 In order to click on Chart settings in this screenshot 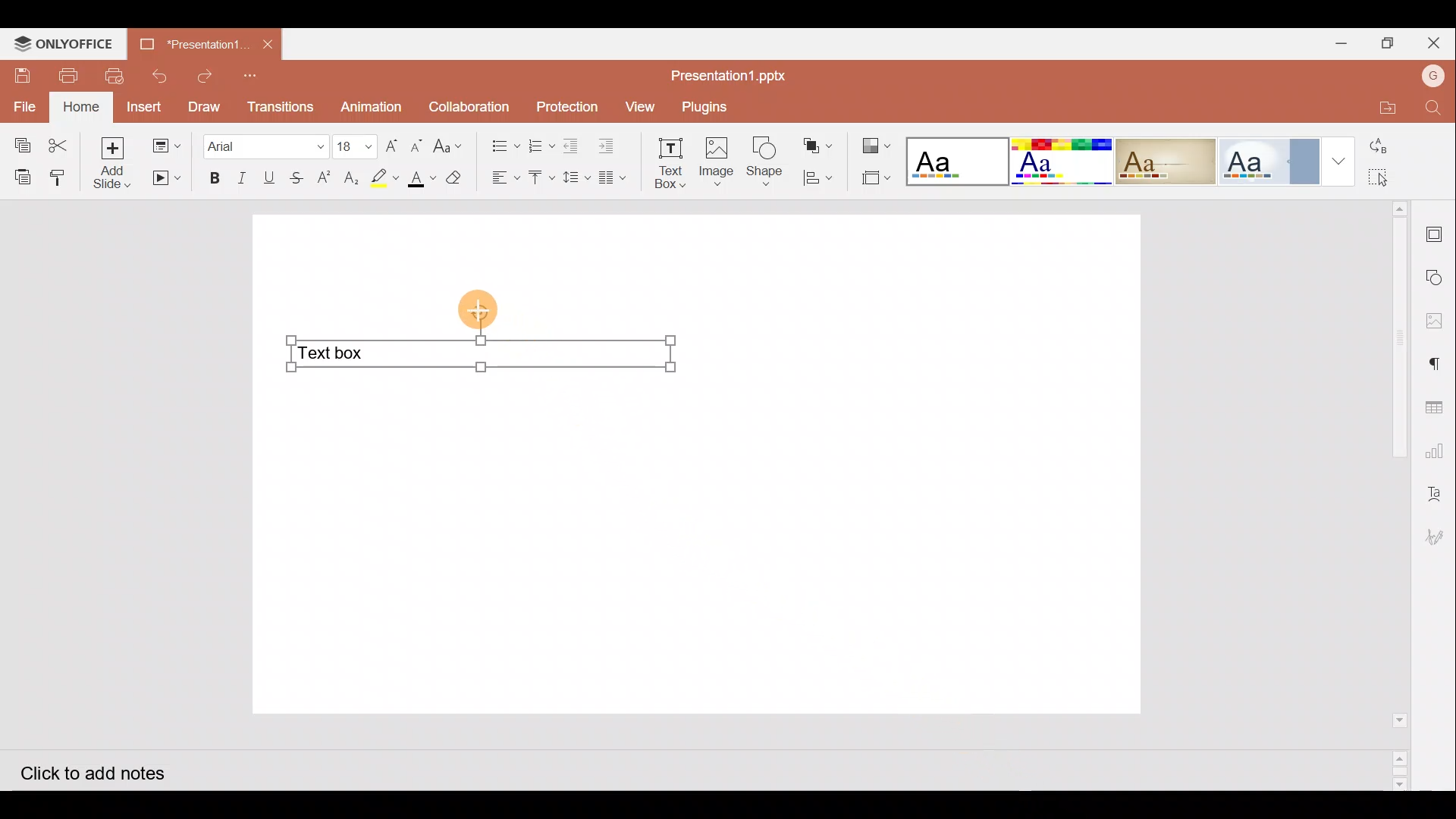, I will do `click(1438, 451)`.